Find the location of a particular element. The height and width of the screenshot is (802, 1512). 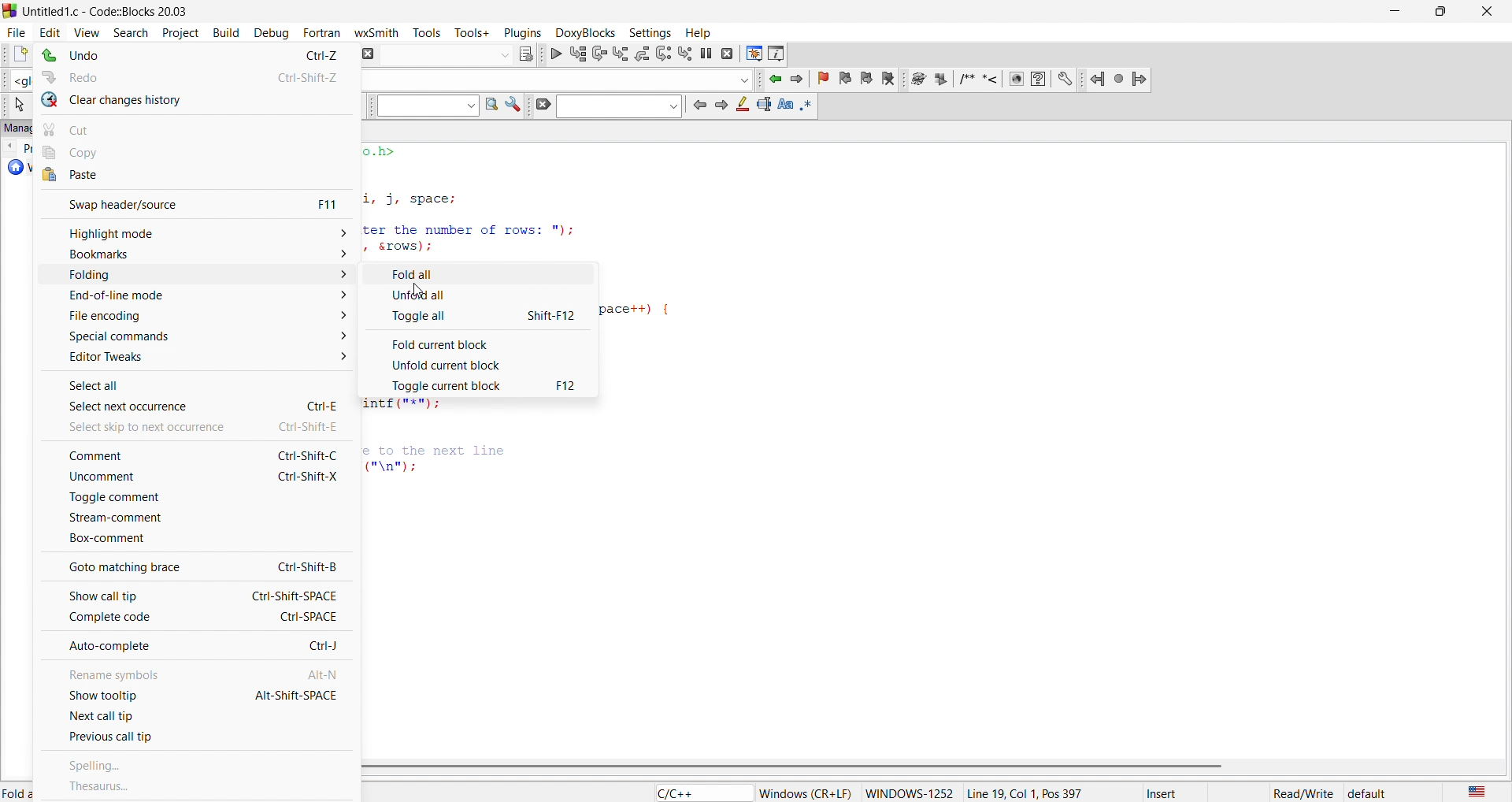

Code:Blocks is located at coordinates (9, 9).